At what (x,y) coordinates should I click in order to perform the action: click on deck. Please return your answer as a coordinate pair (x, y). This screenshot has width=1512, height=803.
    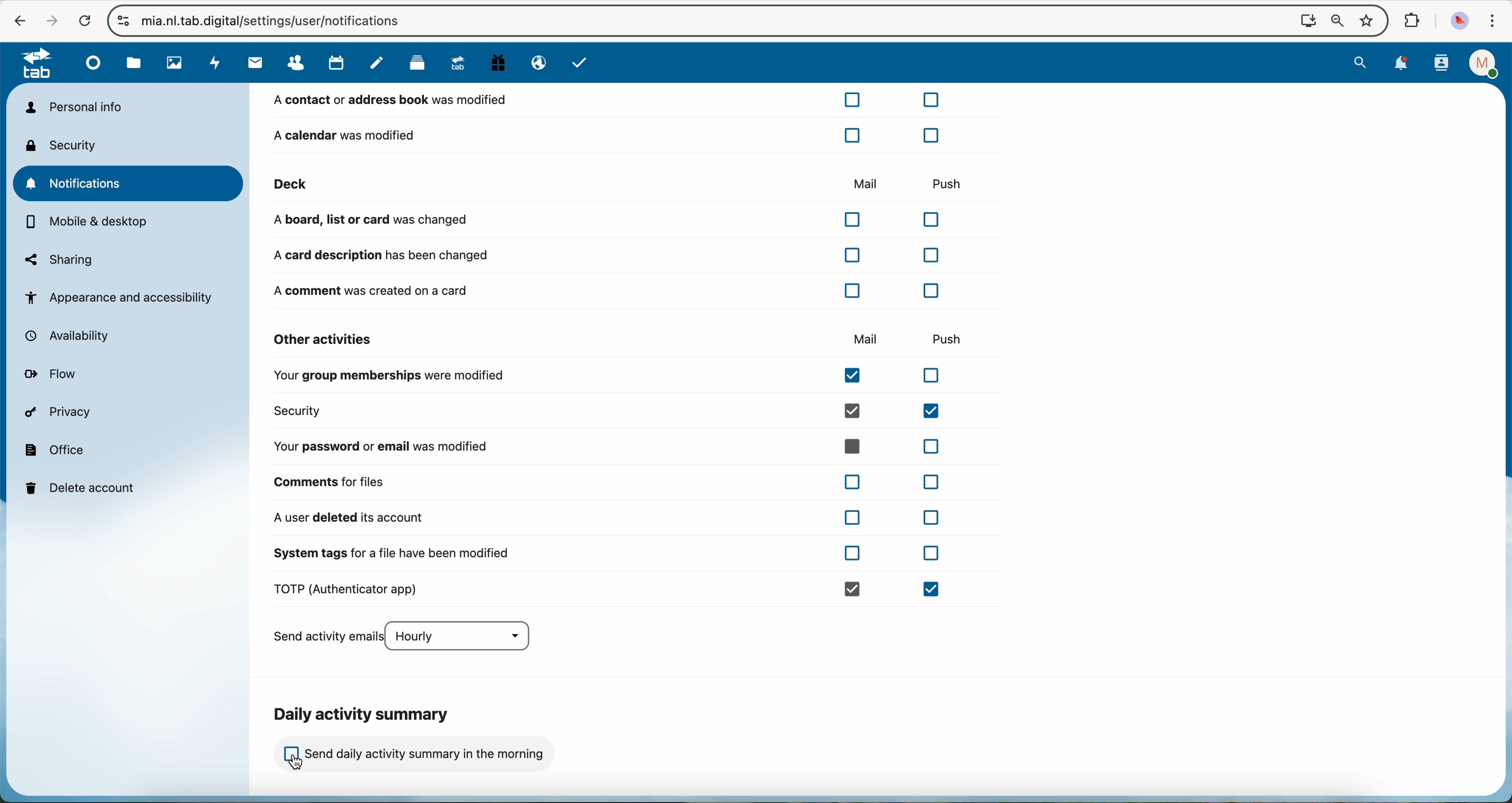
    Looking at the image, I should click on (478, 184).